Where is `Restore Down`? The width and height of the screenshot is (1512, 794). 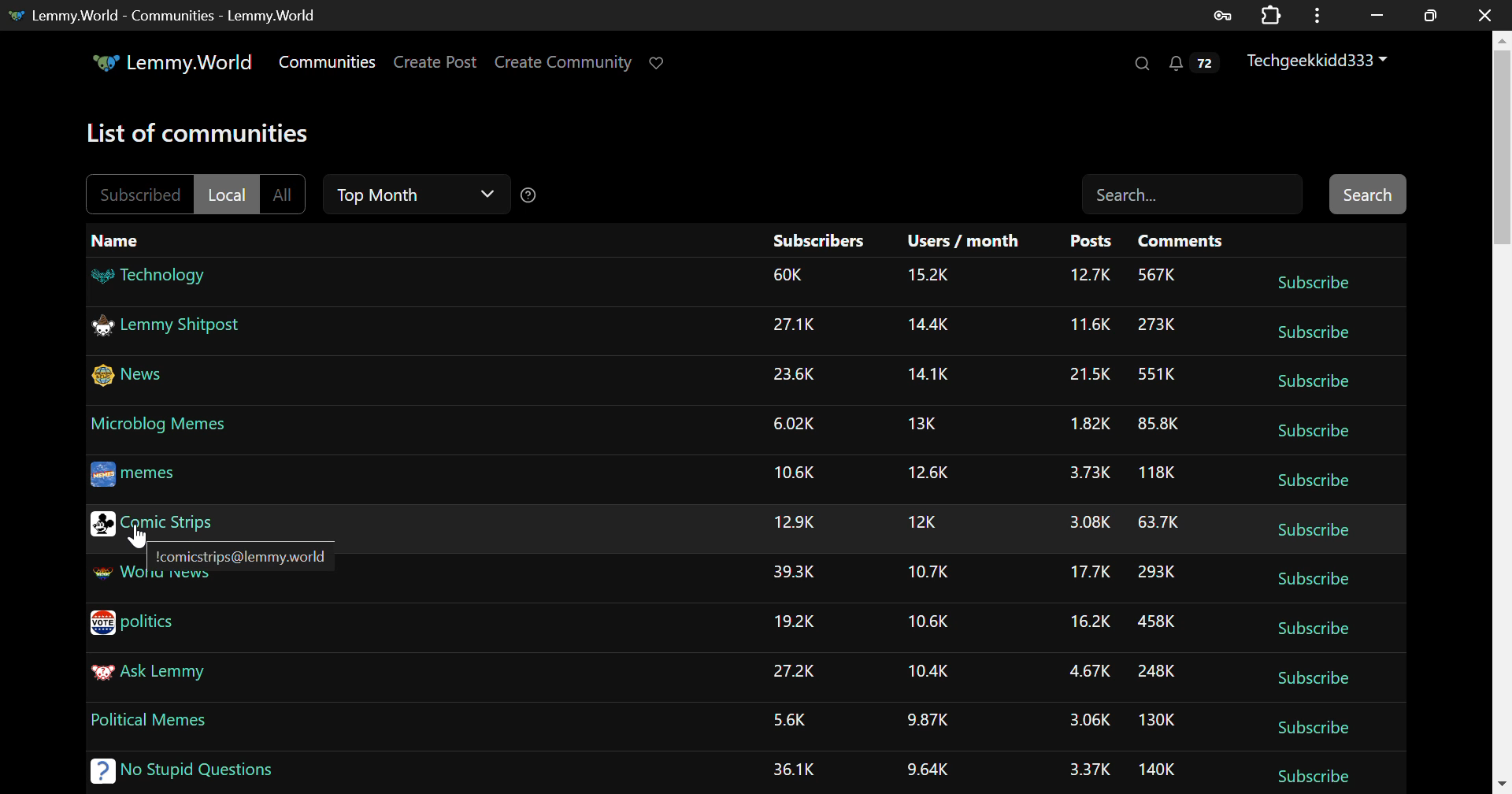 Restore Down is located at coordinates (1378, 13).